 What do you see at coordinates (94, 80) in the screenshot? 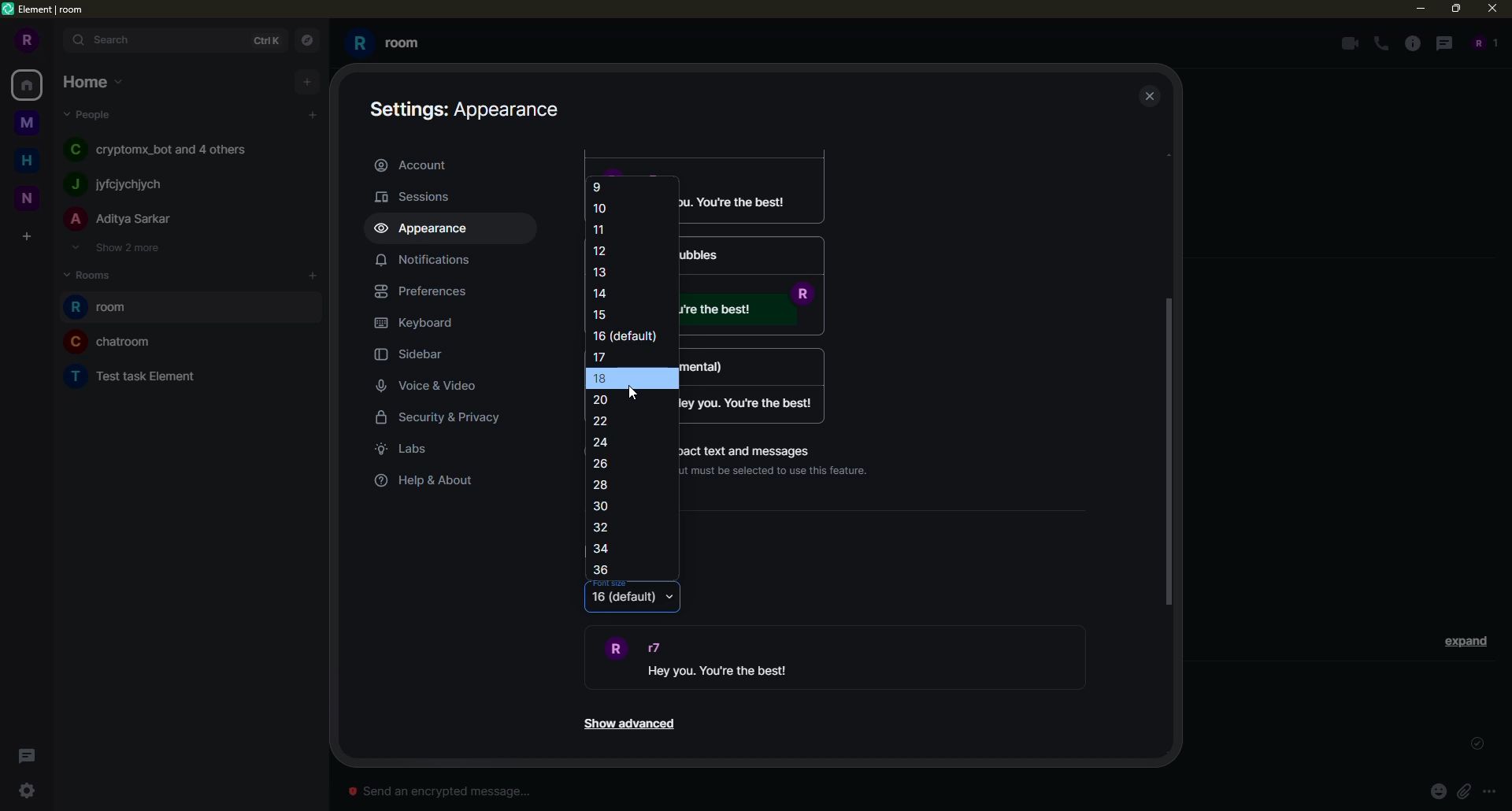
I see `home` at bounding box center [94, 80].